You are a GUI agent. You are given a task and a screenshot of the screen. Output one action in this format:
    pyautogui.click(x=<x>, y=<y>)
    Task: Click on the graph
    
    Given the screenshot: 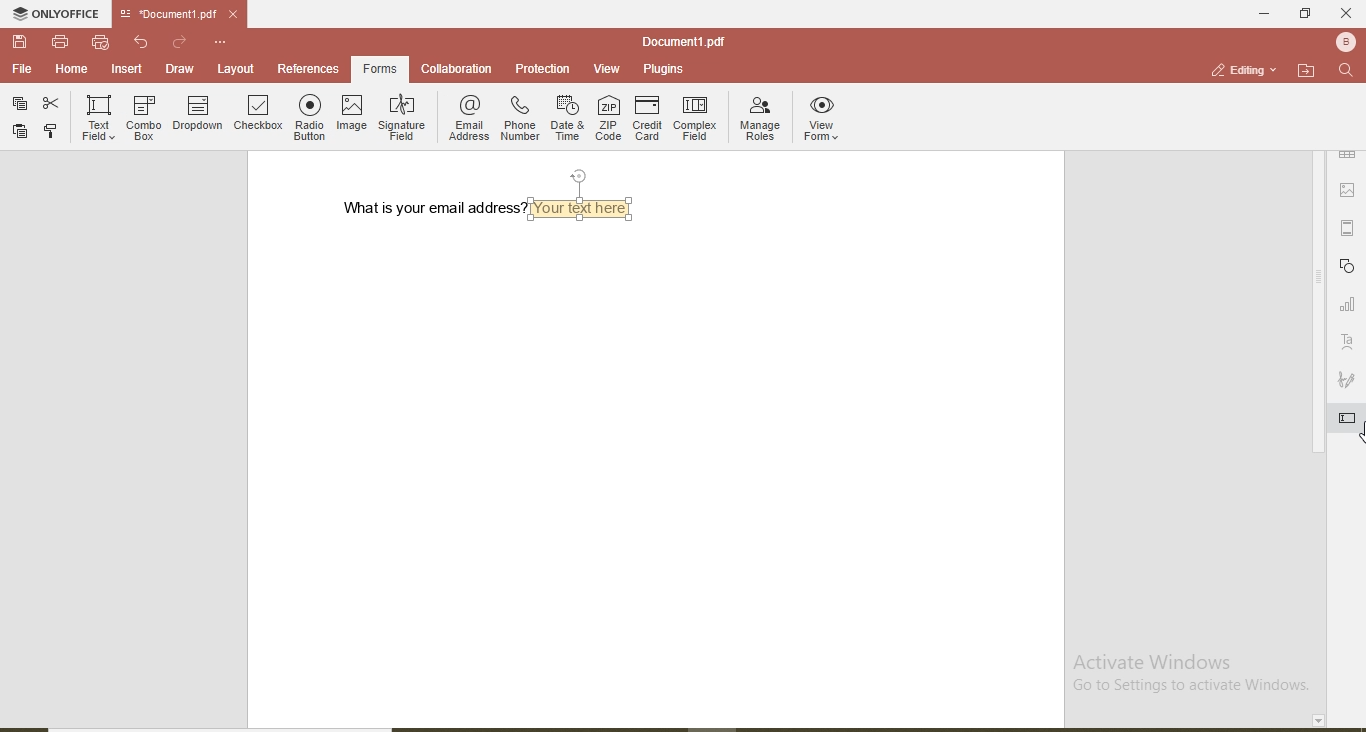 What is the action you would take?
    pyautogui.click(x=1348, y=306)
    